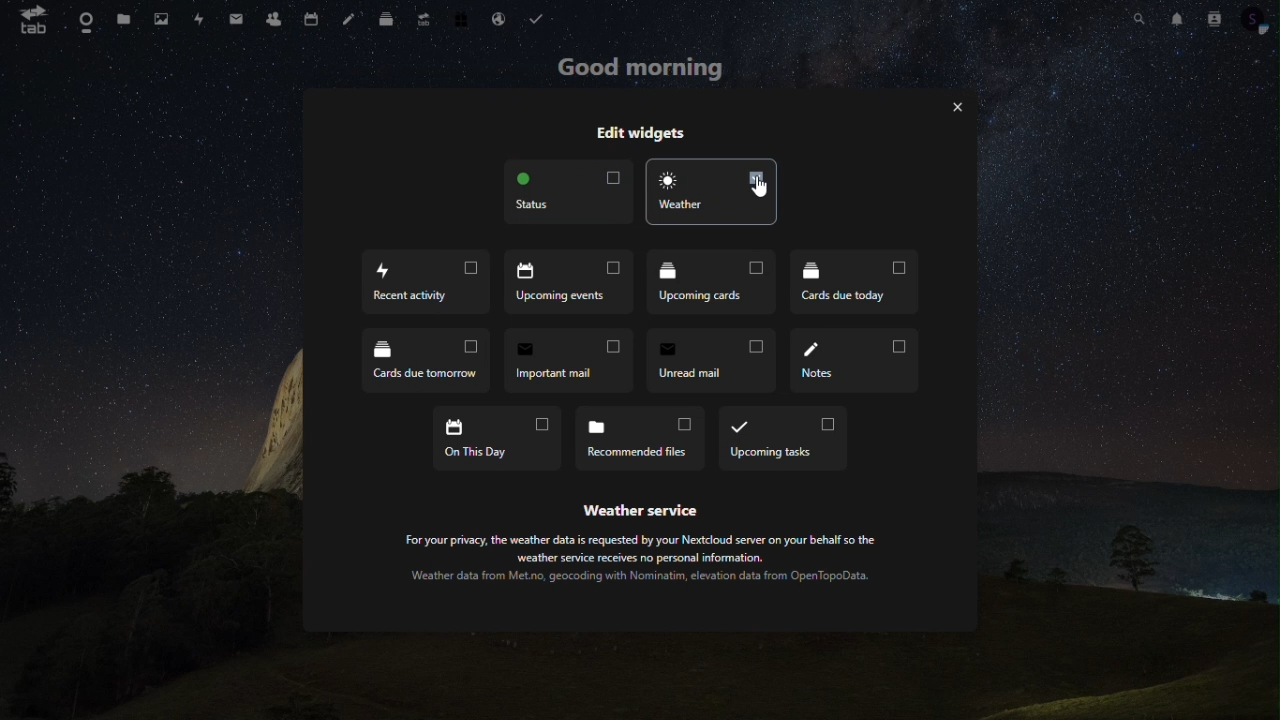 The width and height of the screenshot is (1280, 720). Describe the element at coordinates (275, 21) in the screenshot. I see `contacts` at that location.